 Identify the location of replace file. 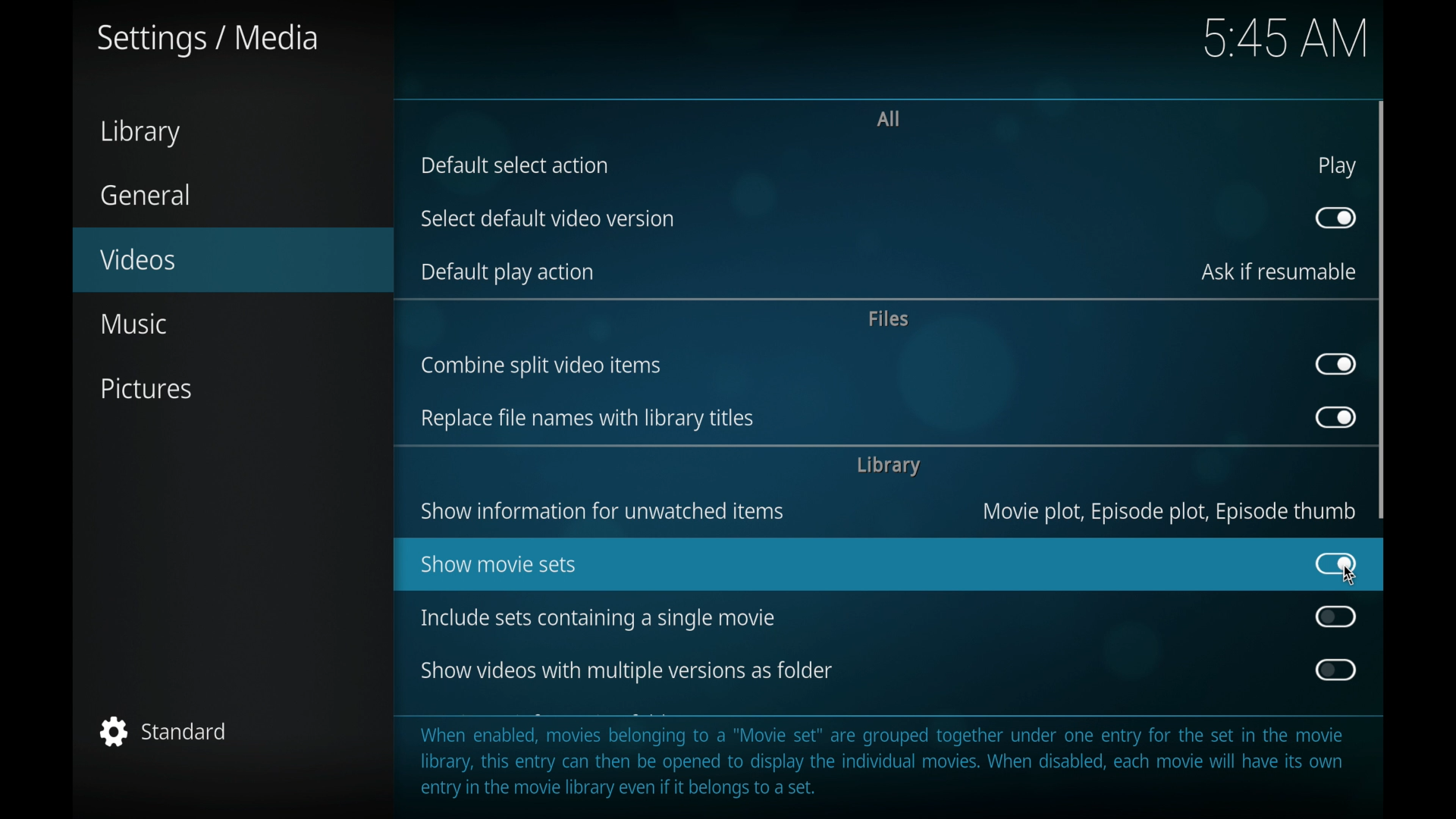
(587, 419).